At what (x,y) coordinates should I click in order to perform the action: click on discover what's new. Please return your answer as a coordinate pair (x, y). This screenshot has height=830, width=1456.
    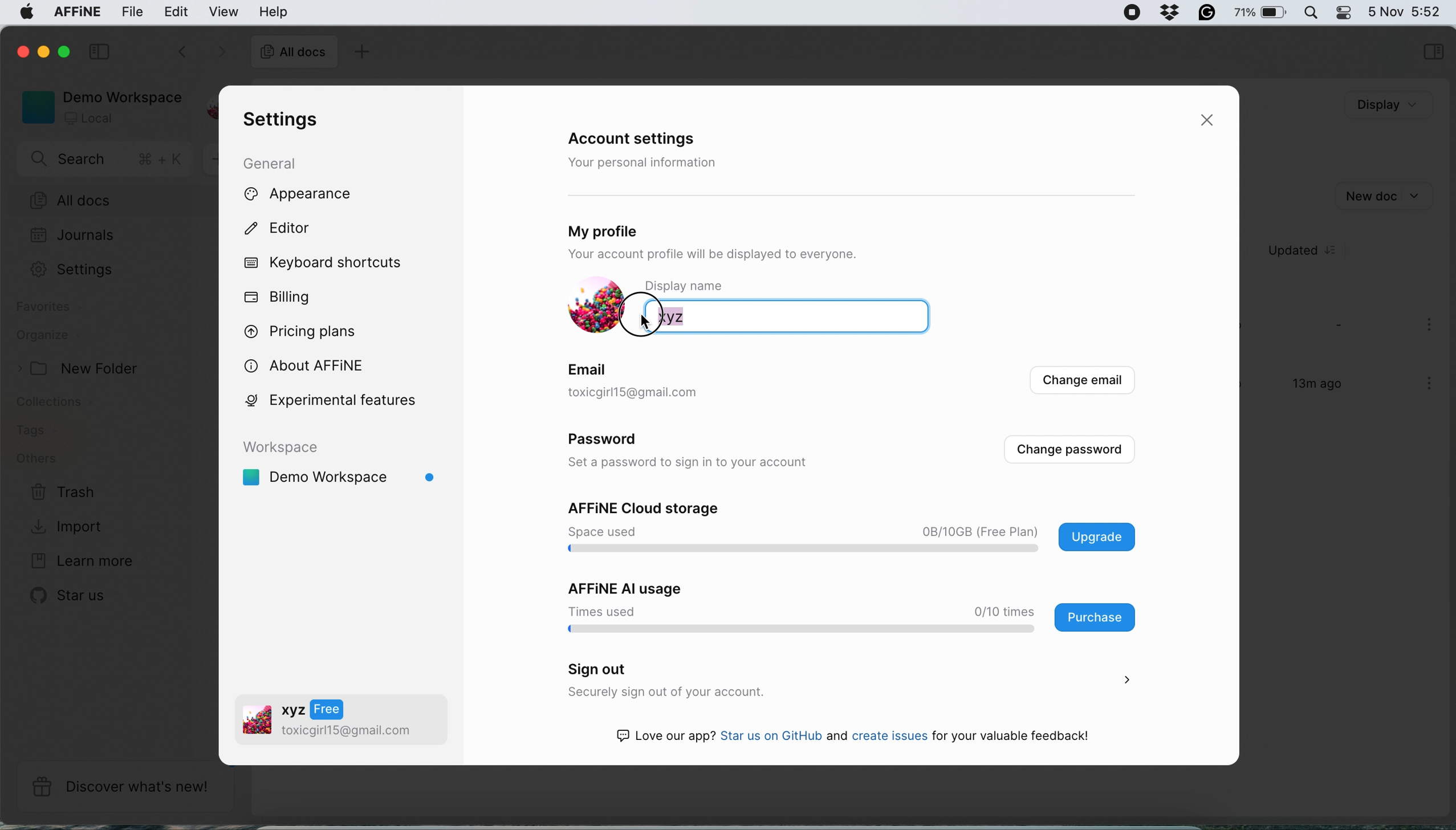
    Looking at the image, I should click on (125, 787).